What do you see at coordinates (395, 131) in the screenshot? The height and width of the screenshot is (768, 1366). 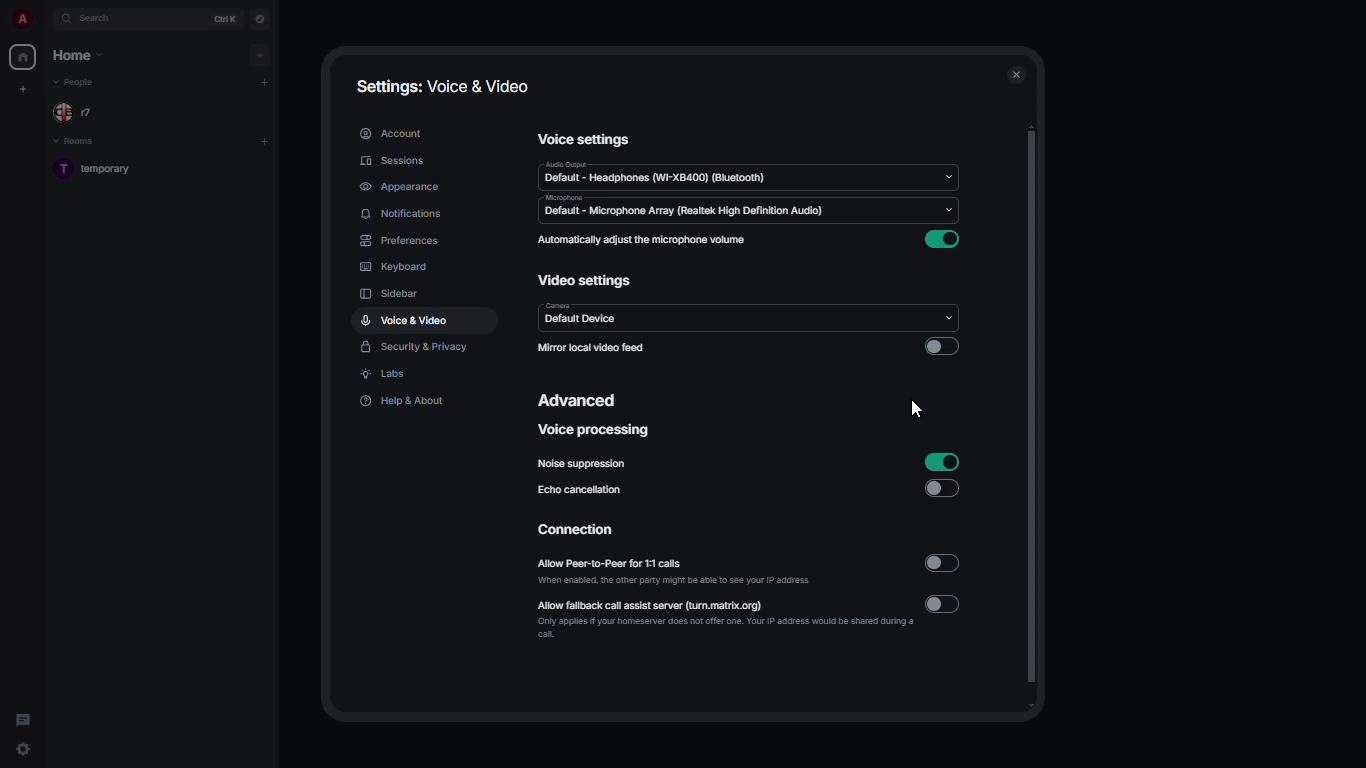 I see `account` at bounding box center [395, 131].